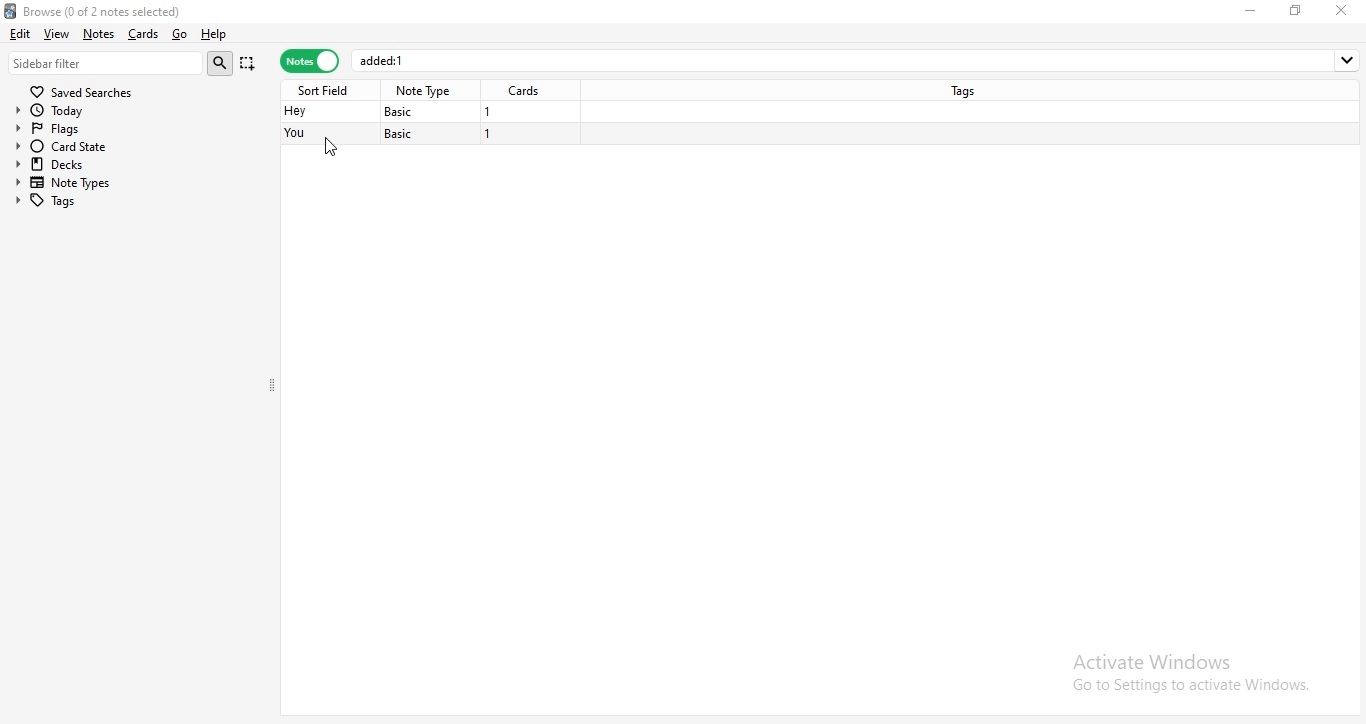 This screenshot has height=724, width=1366. Describe the element at coordinates (1254, 10) in the screenshot. I see `minimise` at that location.